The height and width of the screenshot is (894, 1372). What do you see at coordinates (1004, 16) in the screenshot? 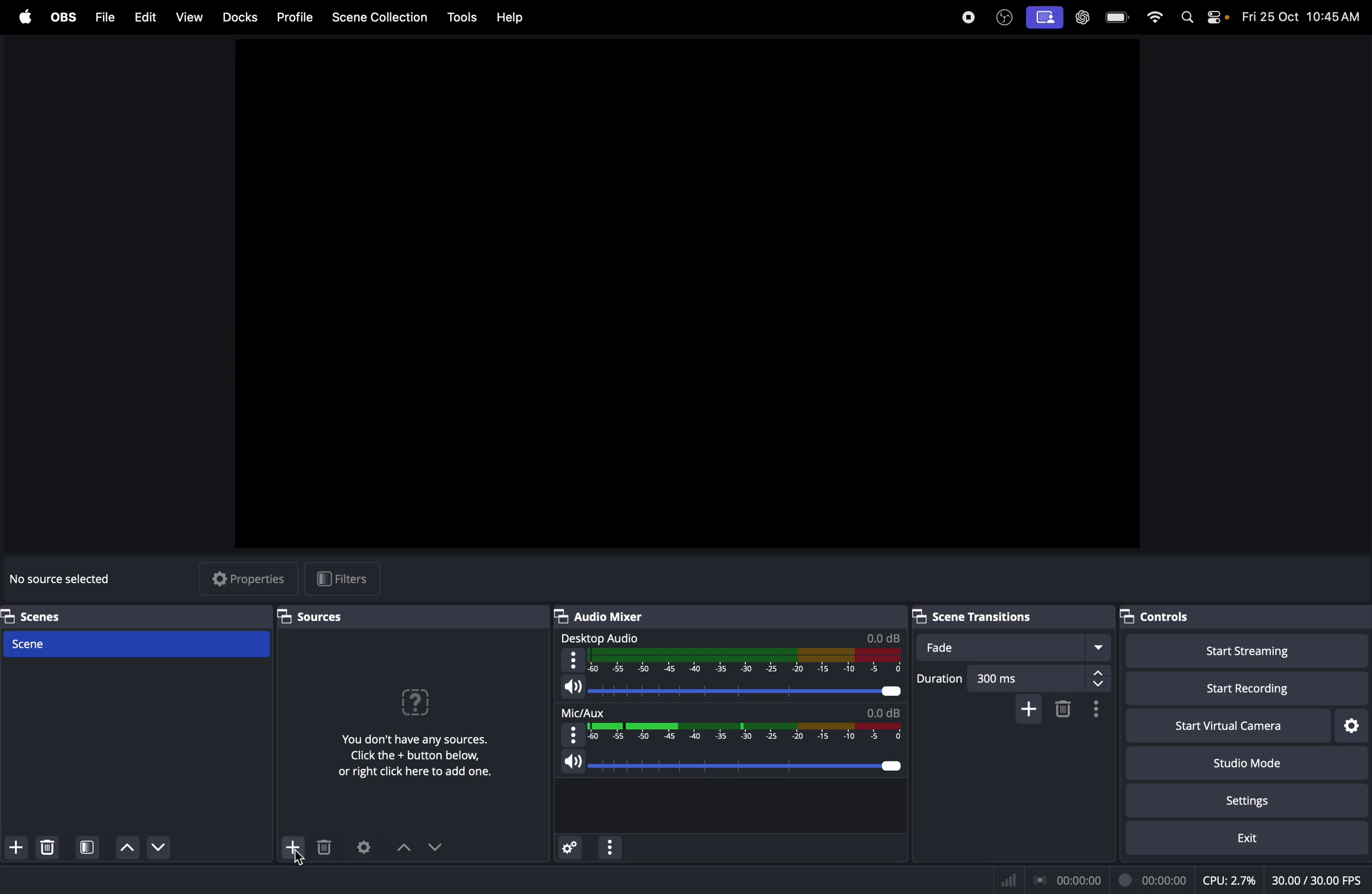
I see `obs` at bounding box center [1004, 16].